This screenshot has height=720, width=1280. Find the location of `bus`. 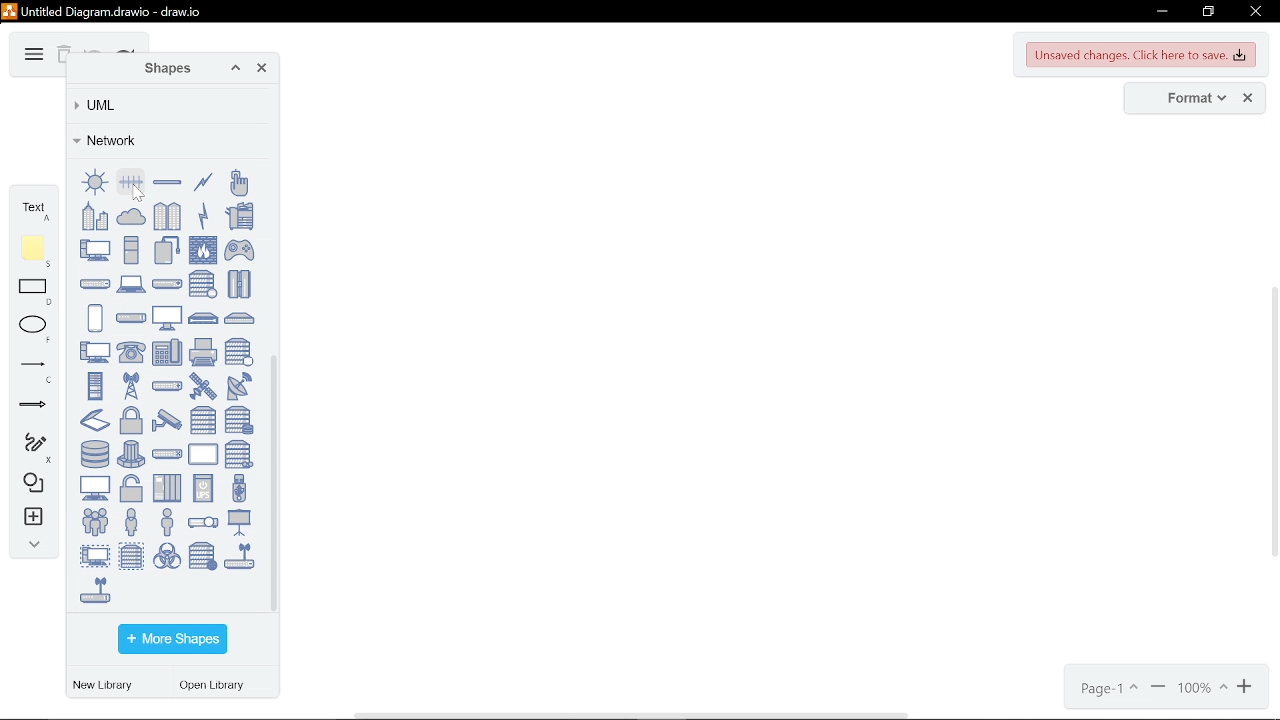

bus is located at coordinates (167, 182).